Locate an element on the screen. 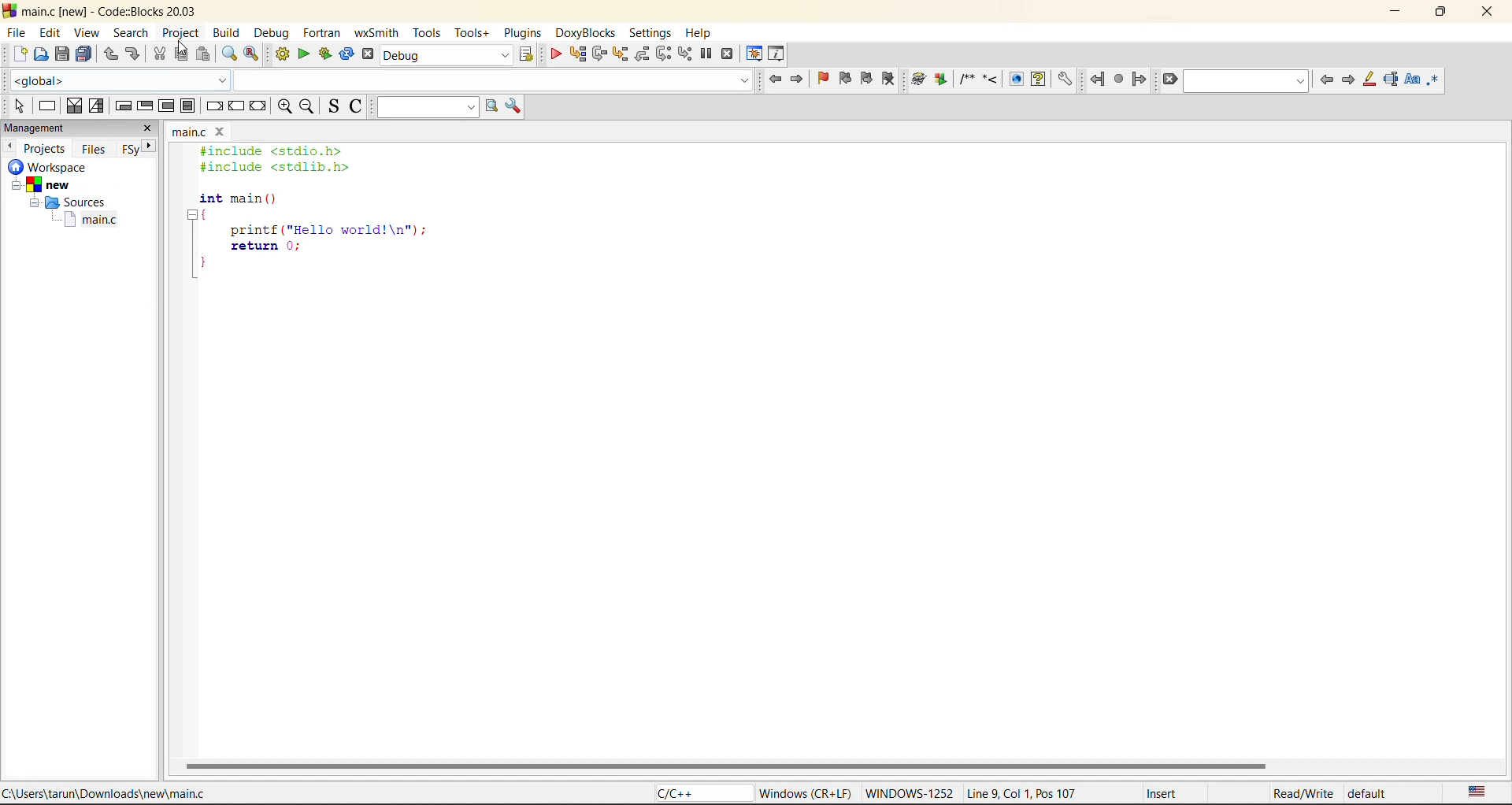  help is located at coordinates (703, 31).